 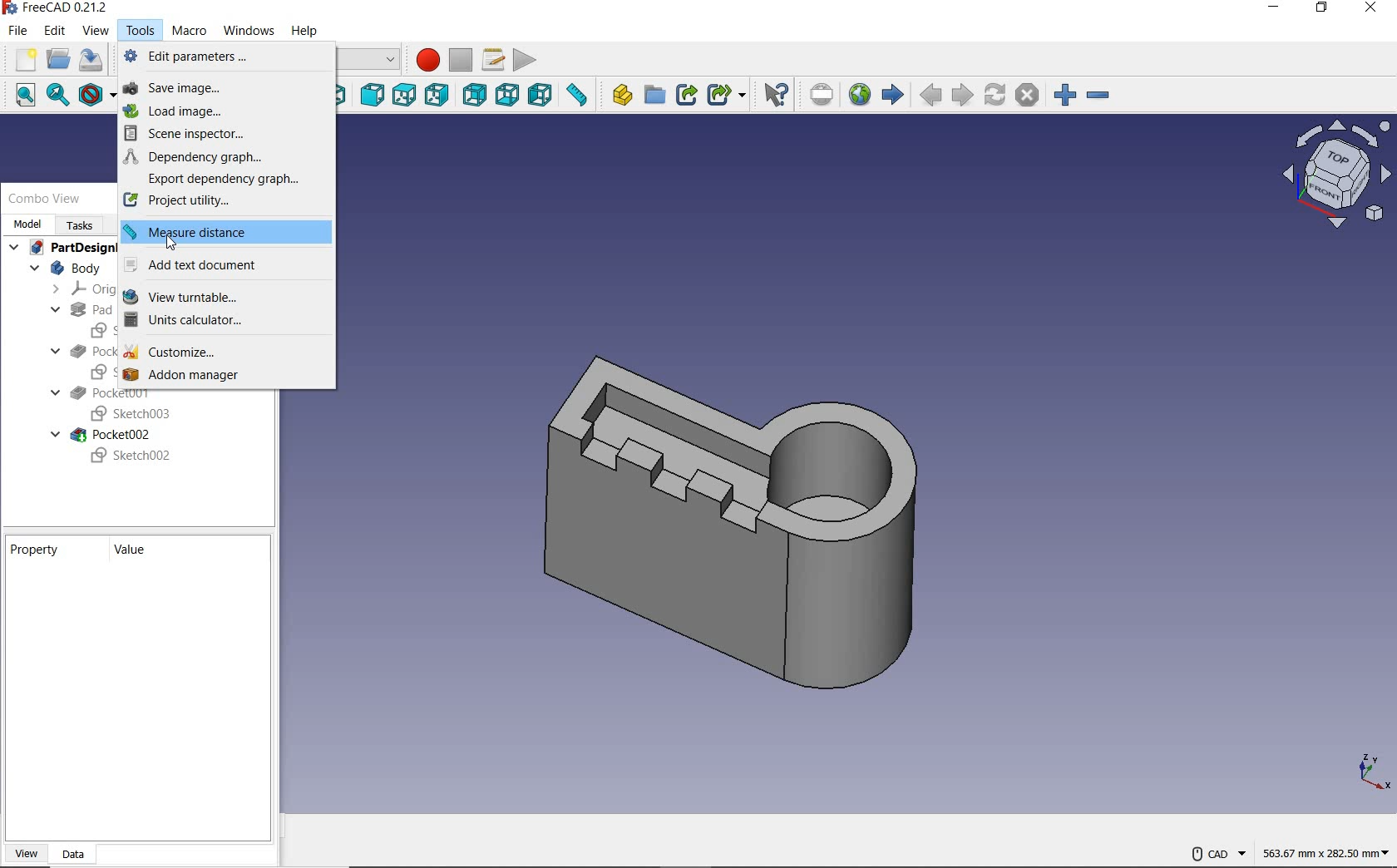 I want to click on PARTDESIGNEXAMPLE, so click(x=62, y=249).